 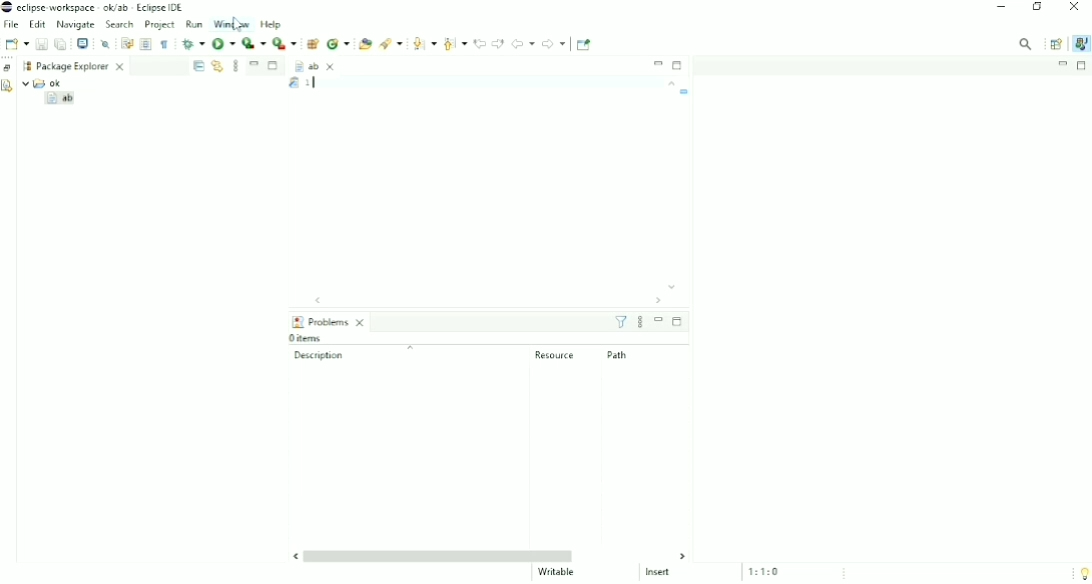 I want to click on Minimize, so click(x=254, y=63).